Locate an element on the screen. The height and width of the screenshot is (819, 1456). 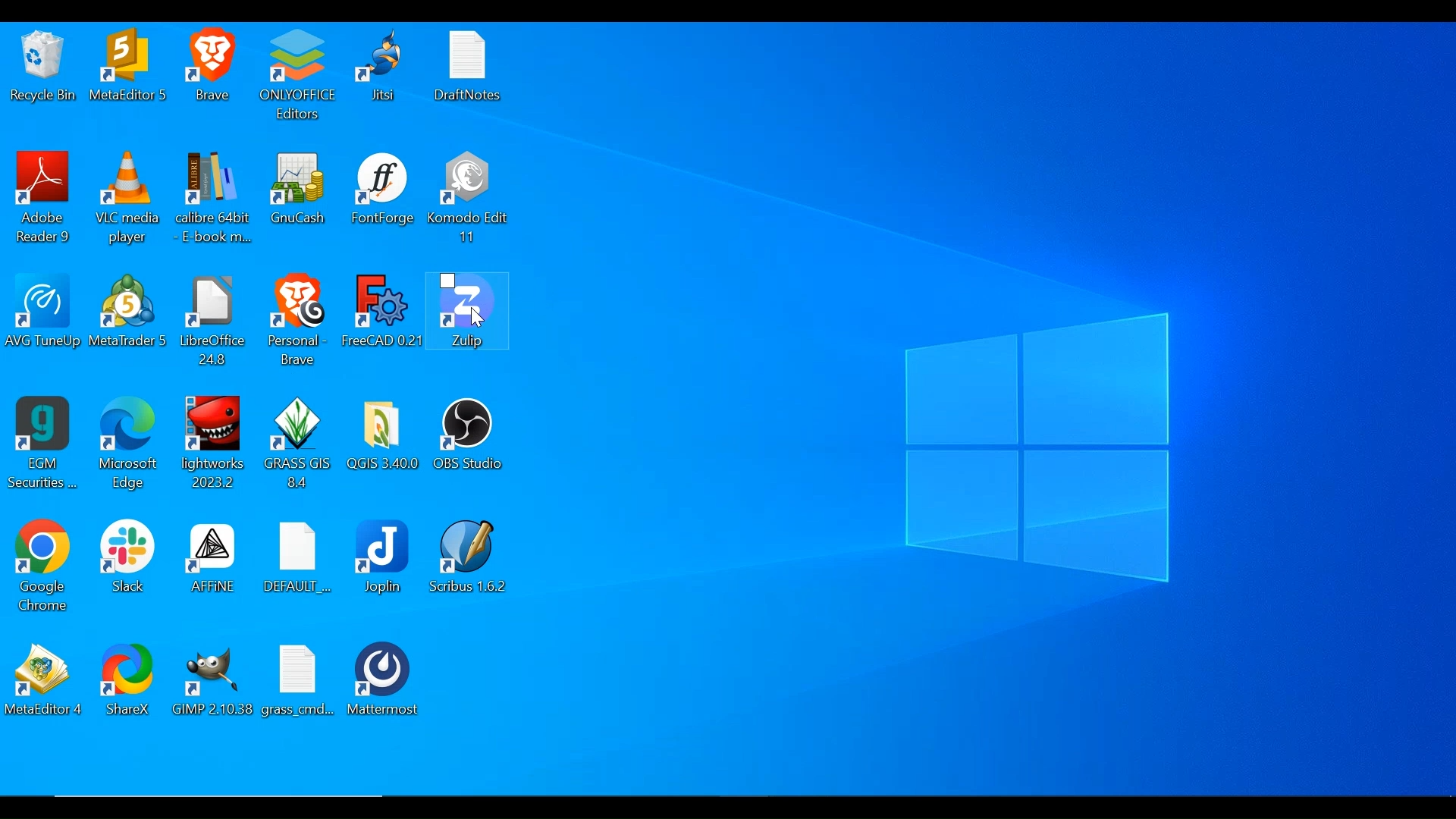
FreeCAD is located at coordinates (385, 313).